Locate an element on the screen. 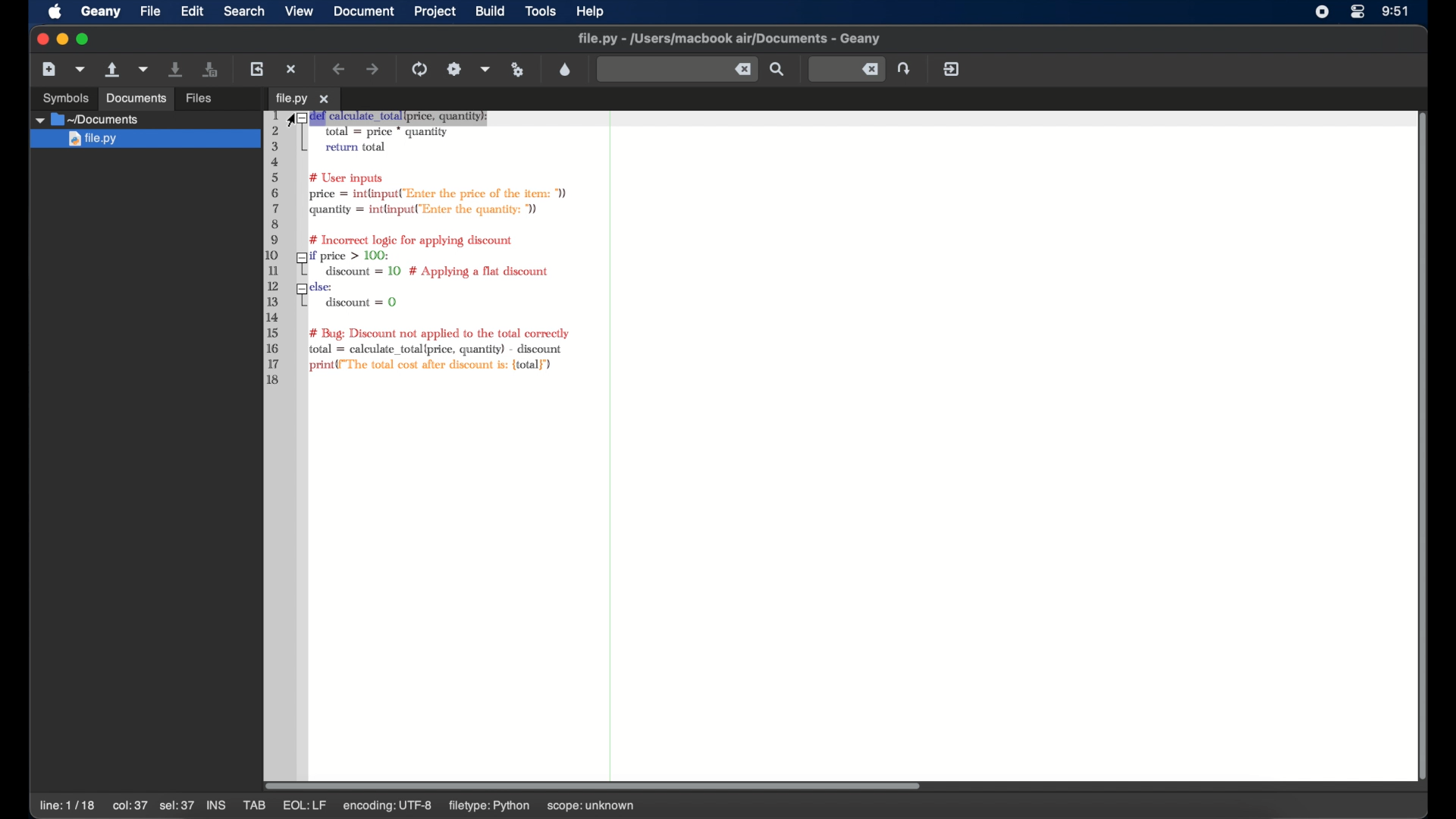 This screenshot has width=1456, height=819. choose more build actions is located at coordinates (486, 70).